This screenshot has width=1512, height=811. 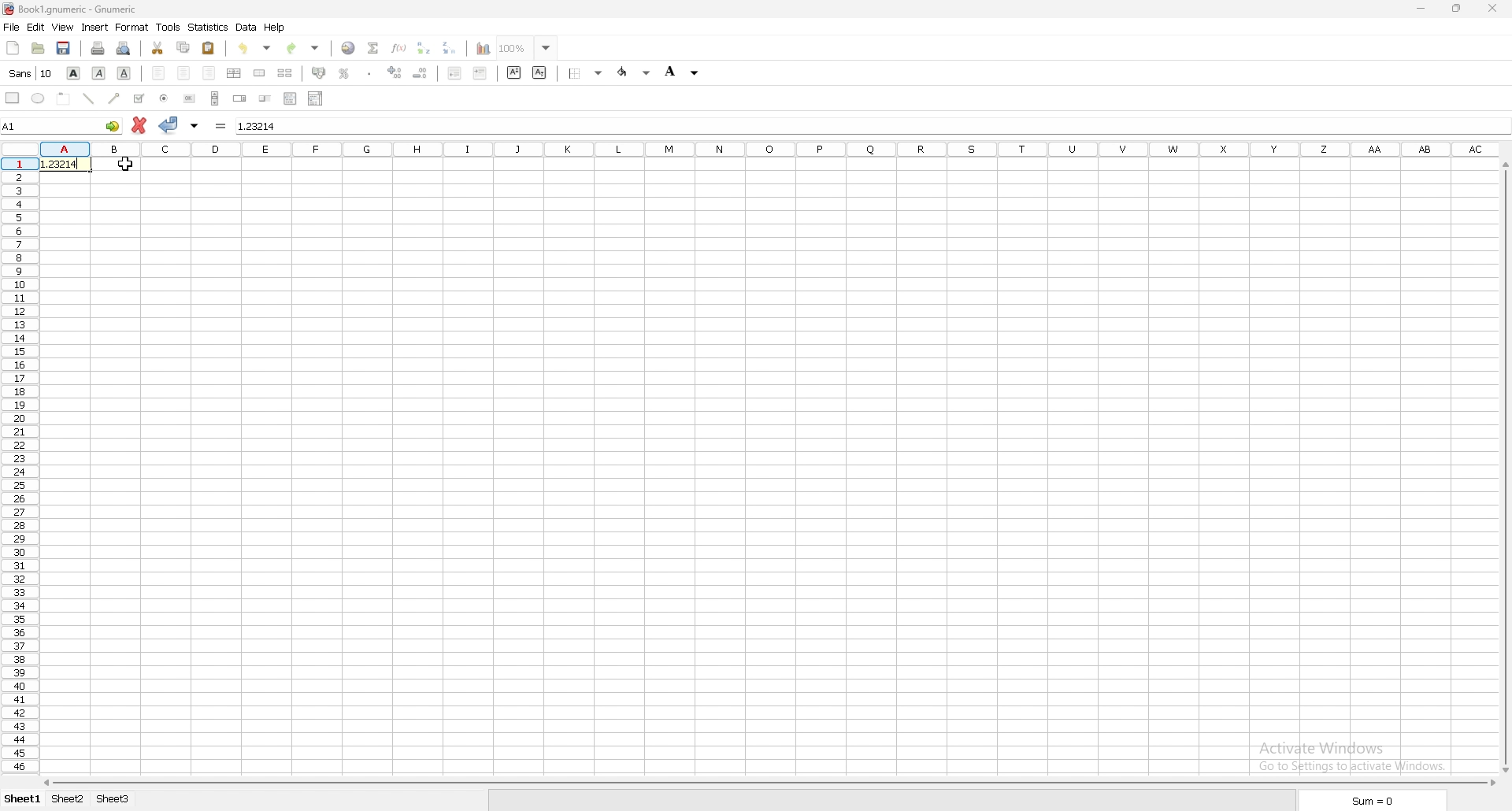 I want to click on redo, so click(x=306, y=48).